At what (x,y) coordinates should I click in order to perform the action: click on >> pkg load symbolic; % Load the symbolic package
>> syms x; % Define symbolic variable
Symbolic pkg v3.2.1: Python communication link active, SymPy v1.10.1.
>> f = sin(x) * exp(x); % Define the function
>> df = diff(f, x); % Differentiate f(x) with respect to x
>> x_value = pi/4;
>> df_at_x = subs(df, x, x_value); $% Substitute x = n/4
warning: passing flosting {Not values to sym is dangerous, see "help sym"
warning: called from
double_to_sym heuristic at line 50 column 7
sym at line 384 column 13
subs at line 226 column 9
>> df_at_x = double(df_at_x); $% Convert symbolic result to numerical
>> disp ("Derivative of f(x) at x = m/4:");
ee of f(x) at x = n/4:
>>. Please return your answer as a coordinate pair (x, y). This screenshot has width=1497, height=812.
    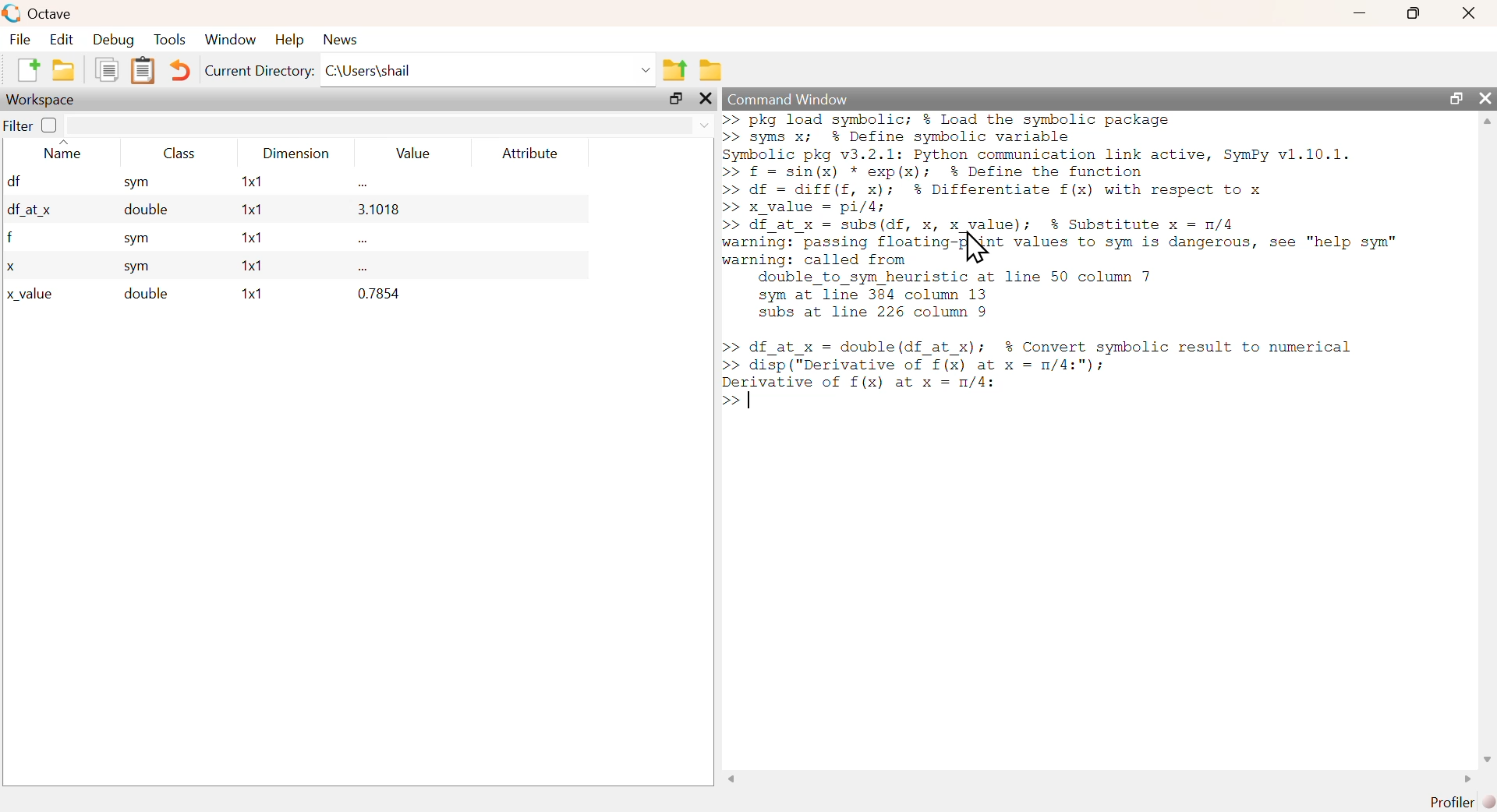
    Looking at the image, I should click on (1093, 264).